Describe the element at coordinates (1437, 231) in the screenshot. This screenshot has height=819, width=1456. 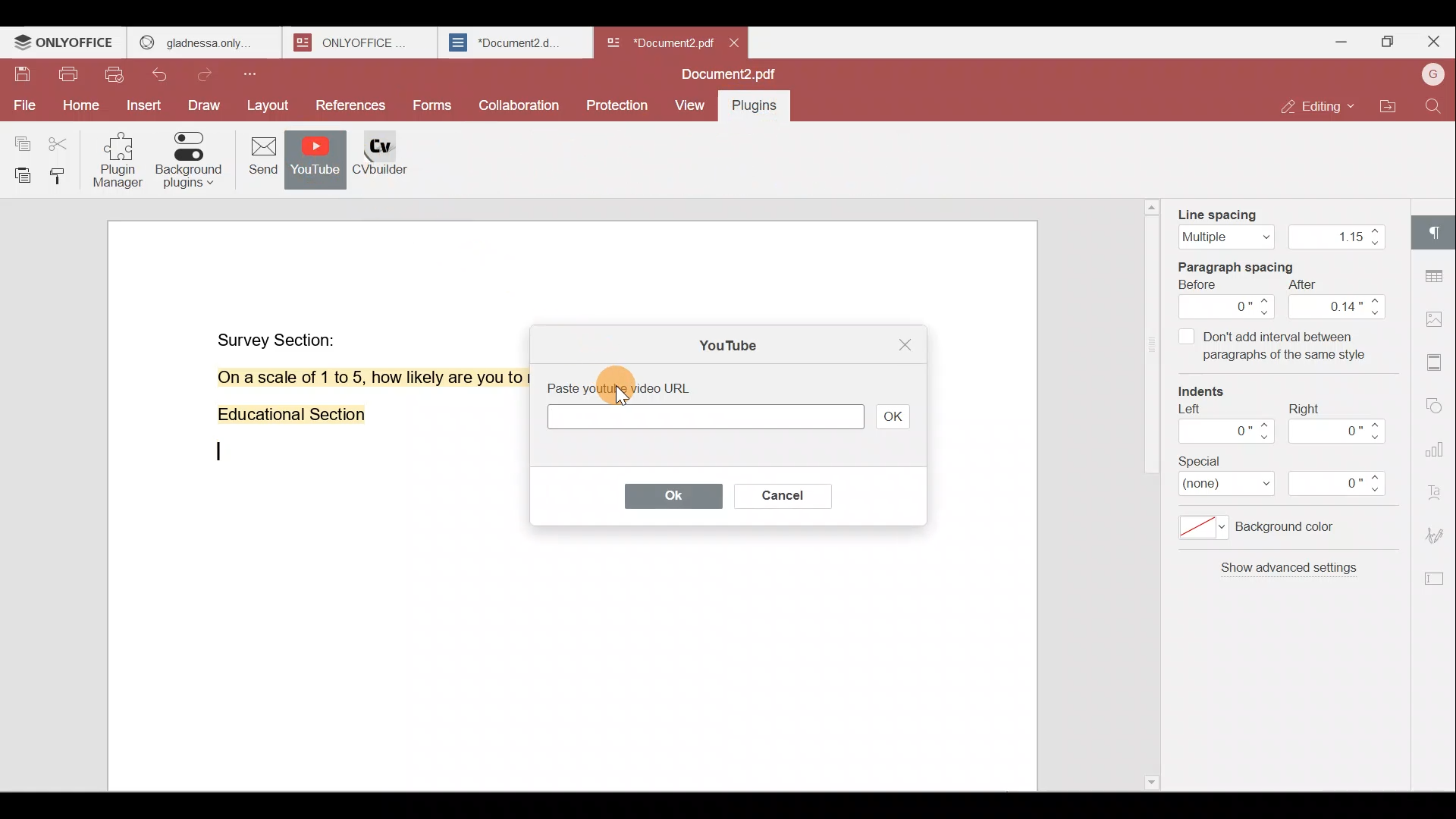
I see `Paragraph settings` at that location.